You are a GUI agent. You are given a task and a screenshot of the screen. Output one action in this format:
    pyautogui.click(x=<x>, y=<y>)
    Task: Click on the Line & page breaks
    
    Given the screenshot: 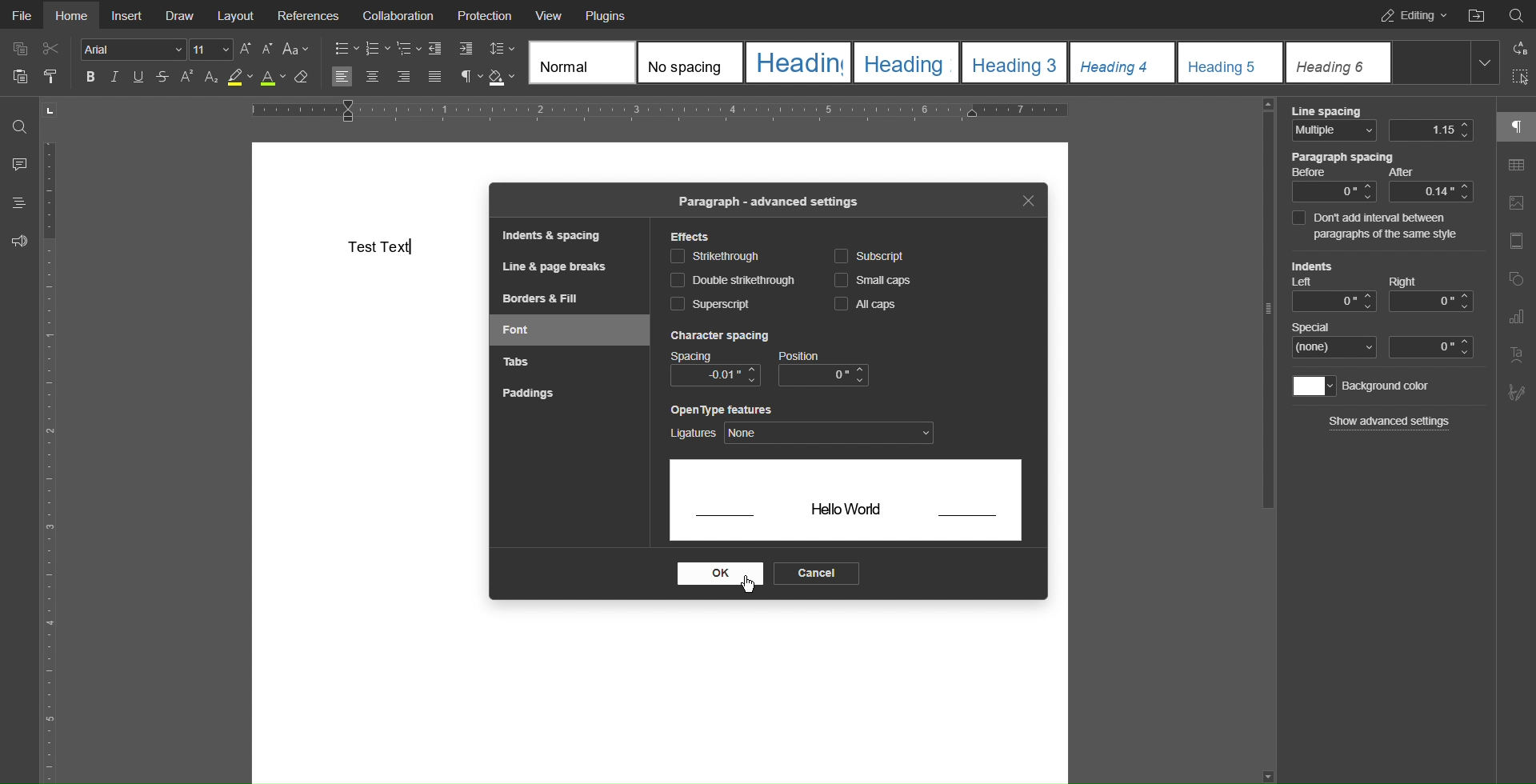 What is the action you would take?
    pyautogui.click(x=552, y=266)
    